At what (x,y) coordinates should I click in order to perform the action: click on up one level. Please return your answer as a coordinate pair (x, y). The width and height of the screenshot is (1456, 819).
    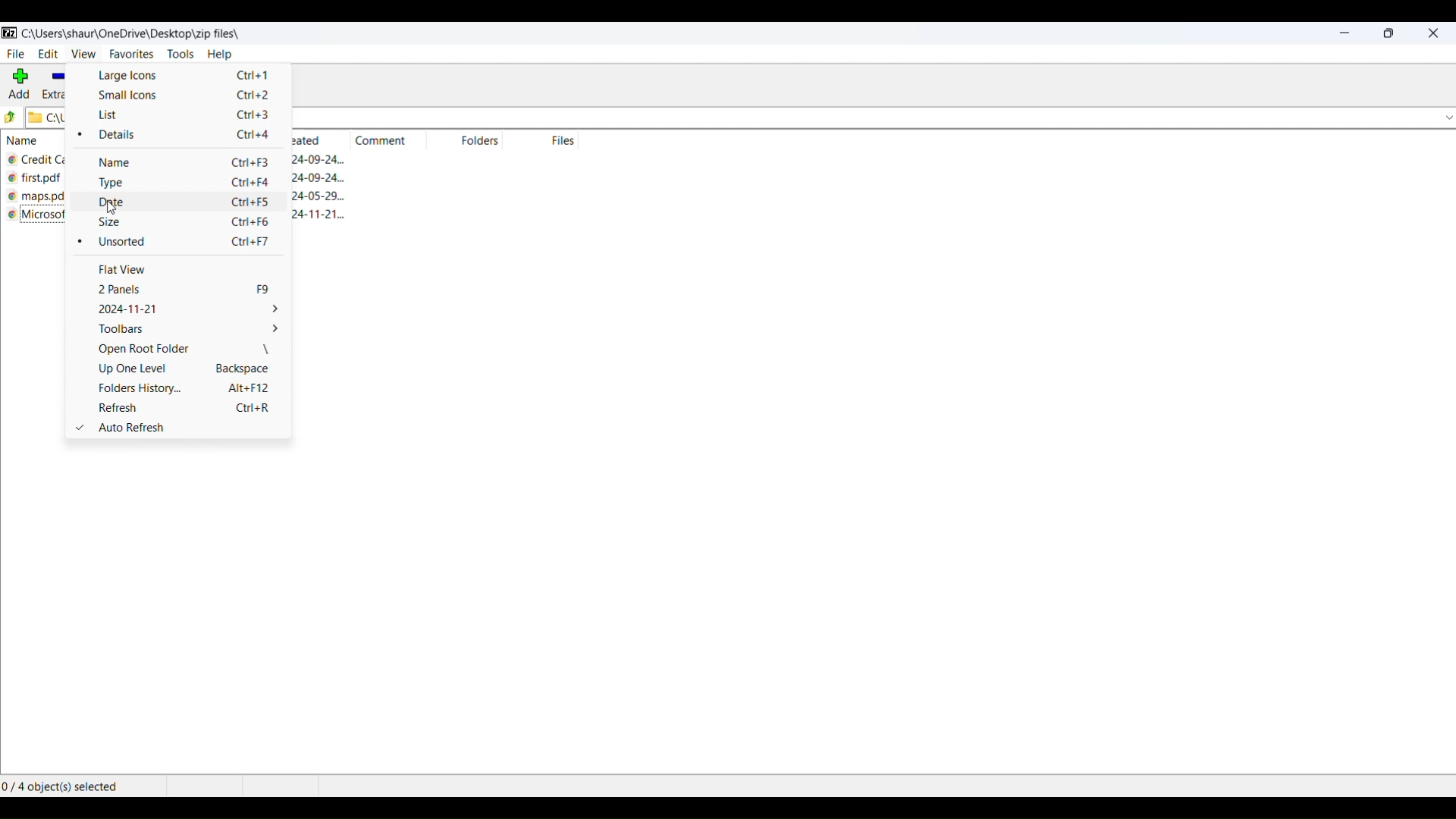
    Looking at the image, I should click on (185, 371).